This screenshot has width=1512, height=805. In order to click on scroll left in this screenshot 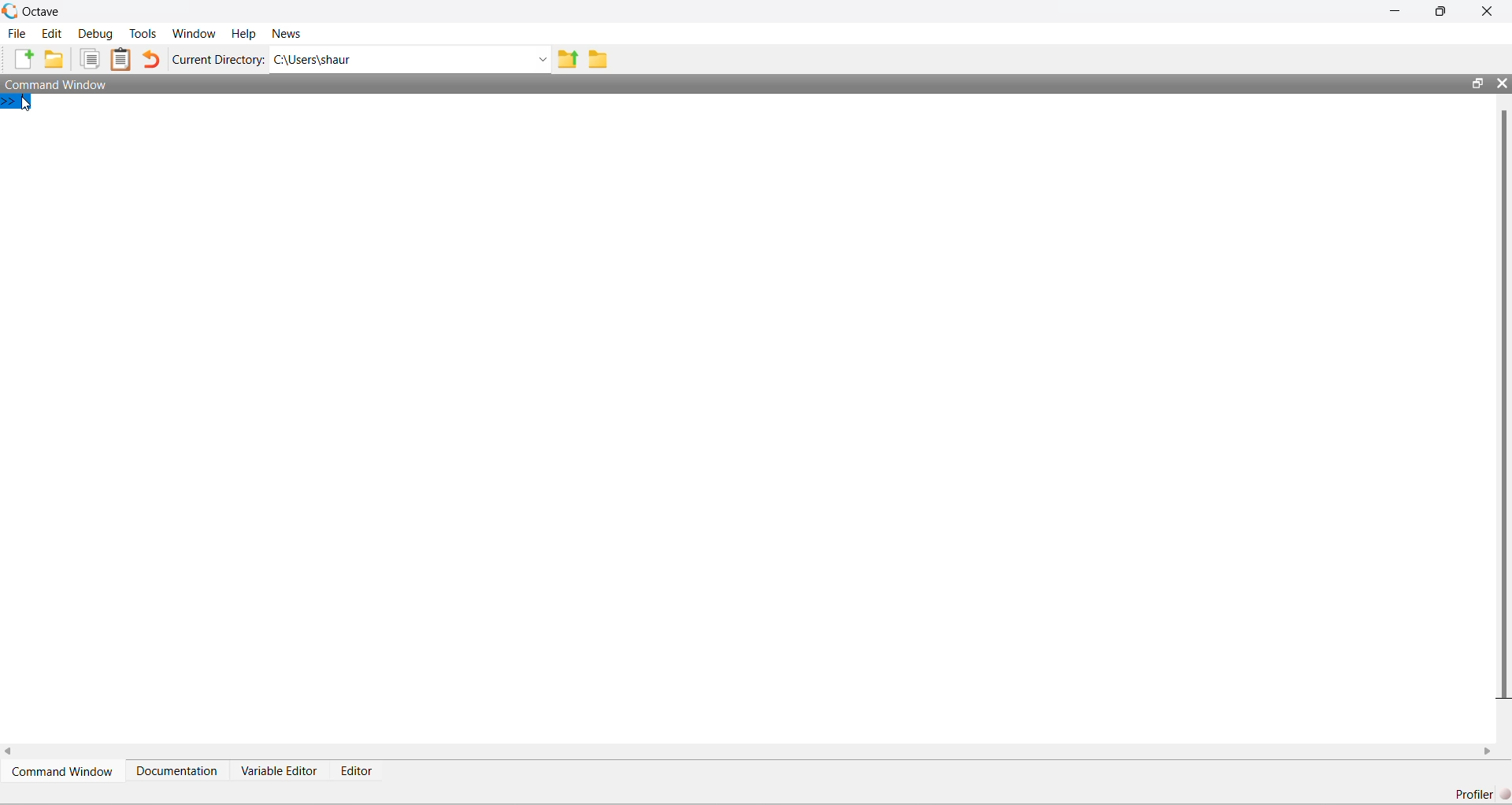, I will do `click(11, 751)`.